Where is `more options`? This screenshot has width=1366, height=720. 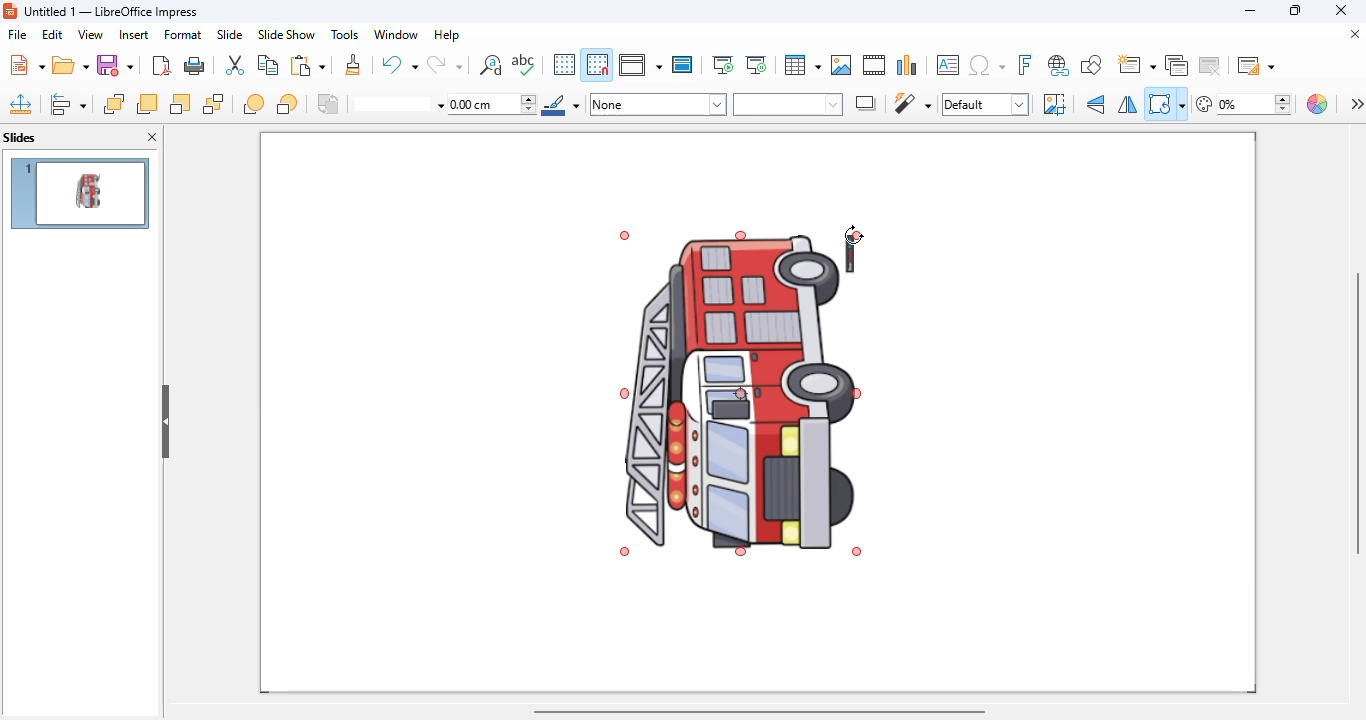
more options is located at coordinates (1356, 103).